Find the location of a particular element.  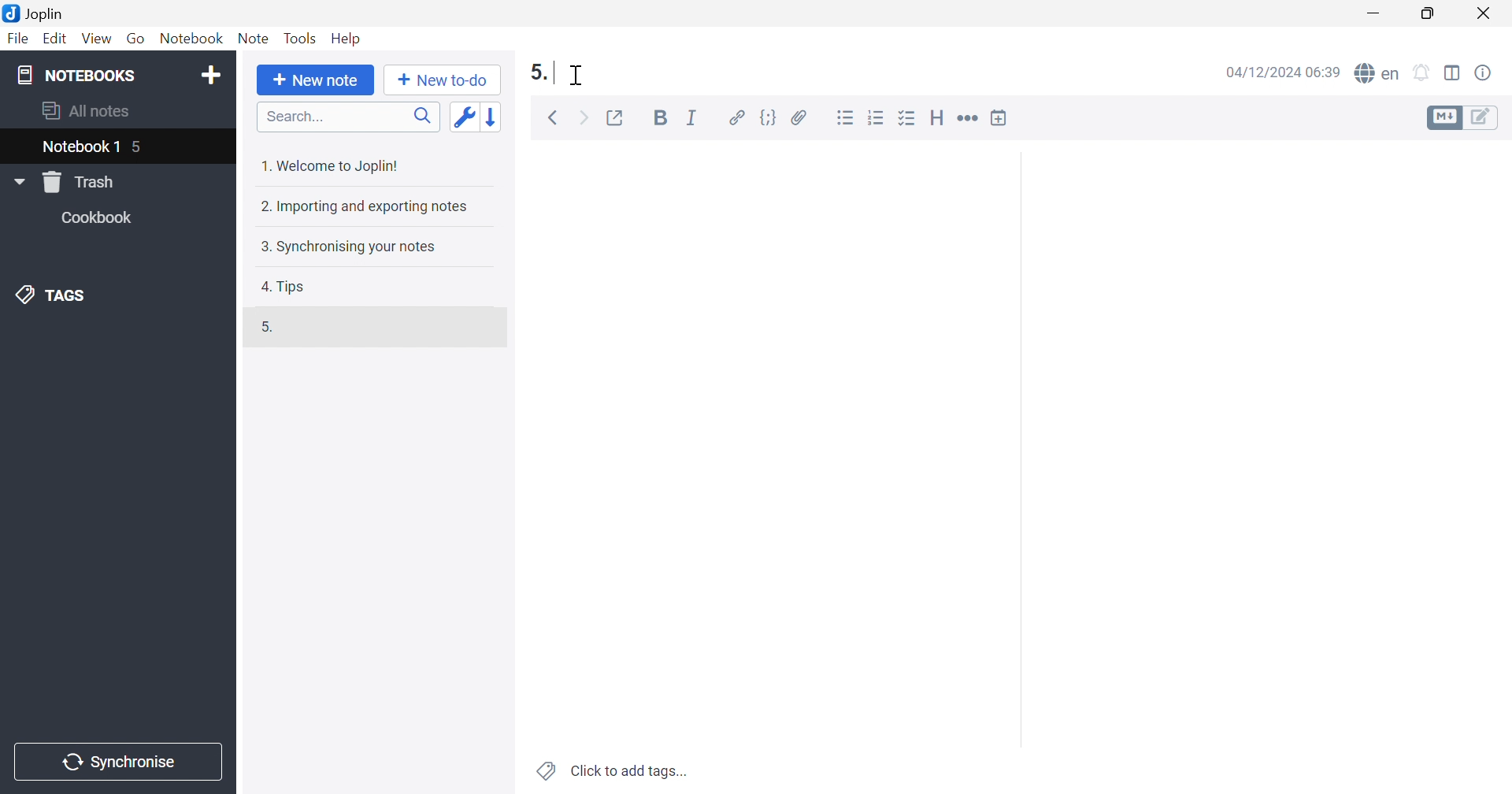

Edit is located at coordinates (55, 38).